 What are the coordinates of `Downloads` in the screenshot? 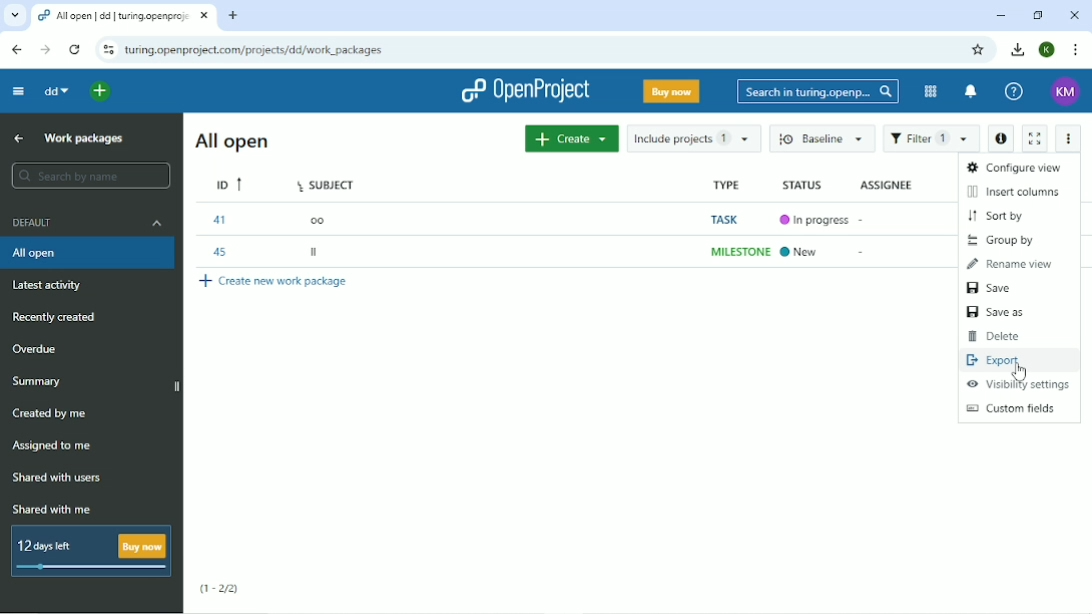 It's located at (1018, 49).